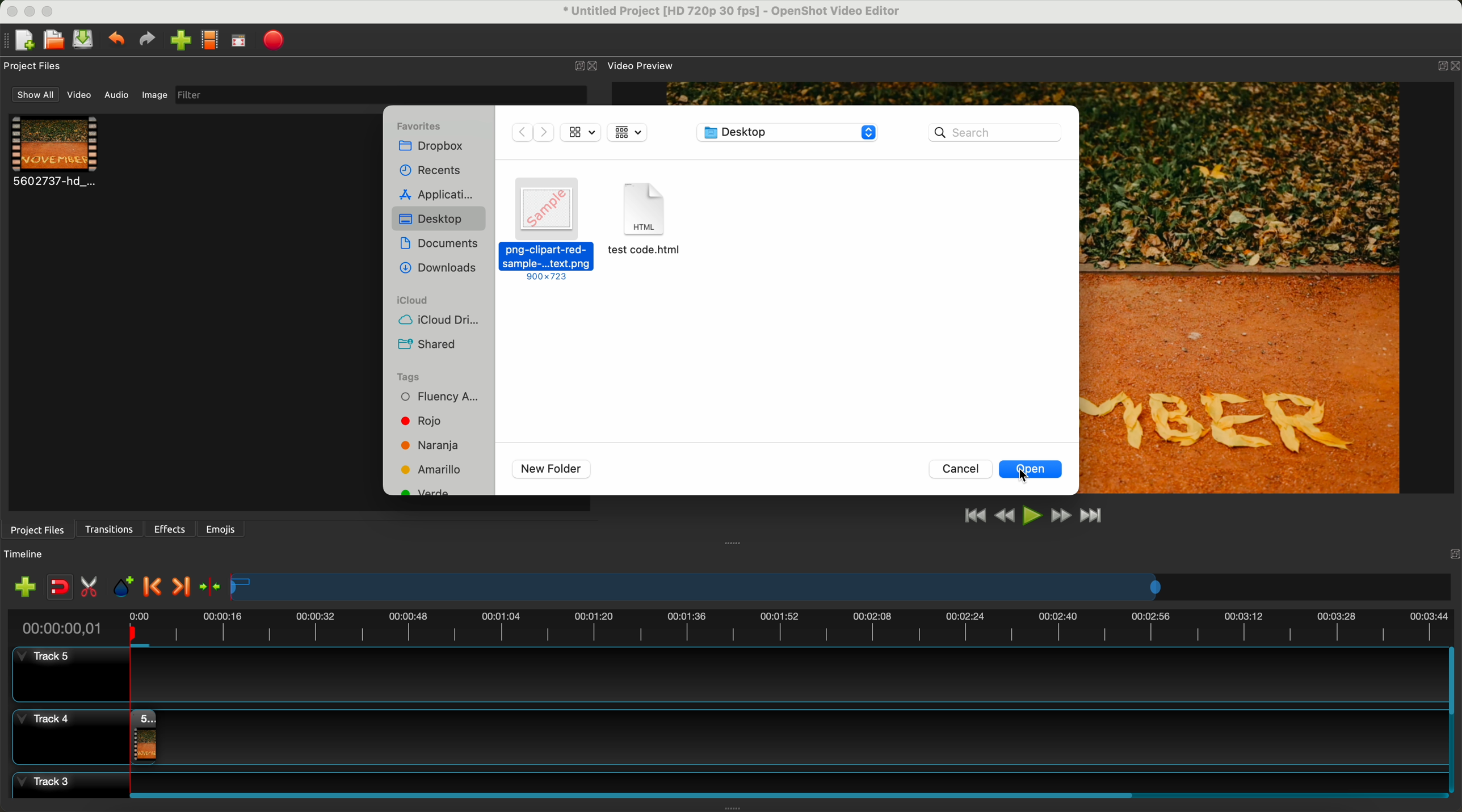 This screenshot has width=1462, height=812. What do you see at coordinates (436, 445) in the screenshot?
I see `Naranja` at bounding box center [436, 445].